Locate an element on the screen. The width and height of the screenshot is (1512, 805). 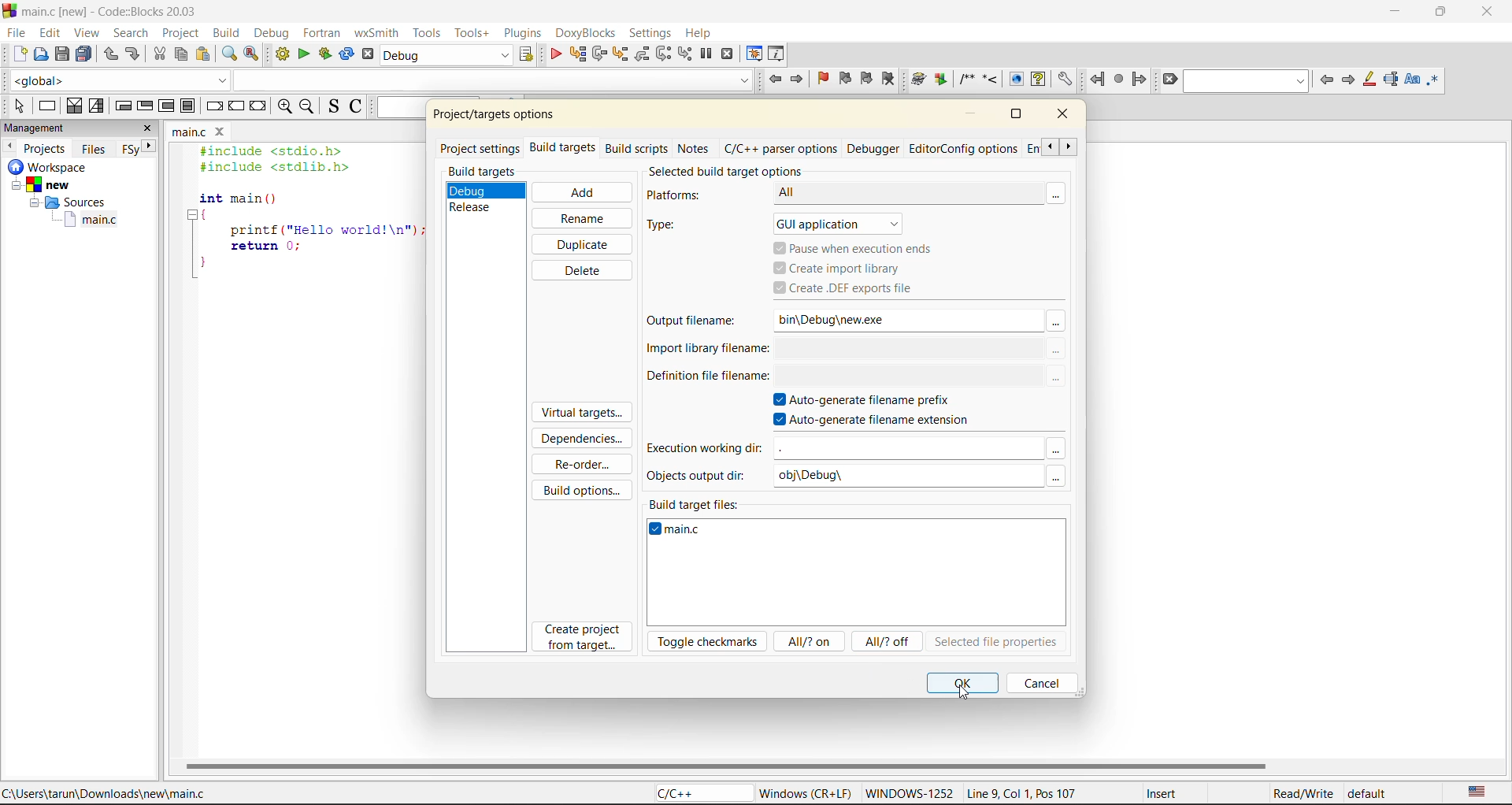
build targets is located at coordinates (565, 150).